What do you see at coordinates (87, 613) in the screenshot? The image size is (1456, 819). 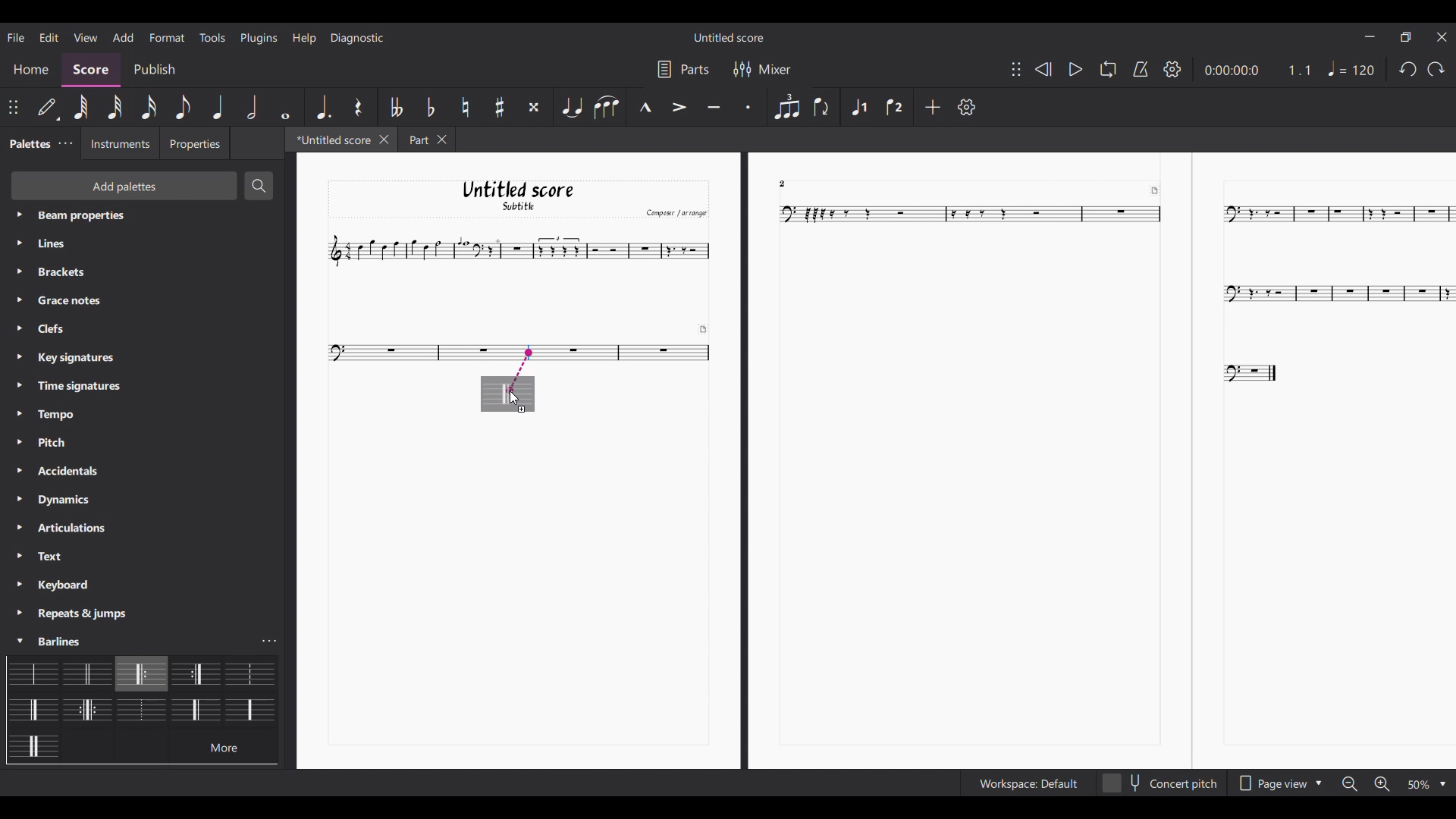 I see `Palette settings` at bounding box center [87, 613].